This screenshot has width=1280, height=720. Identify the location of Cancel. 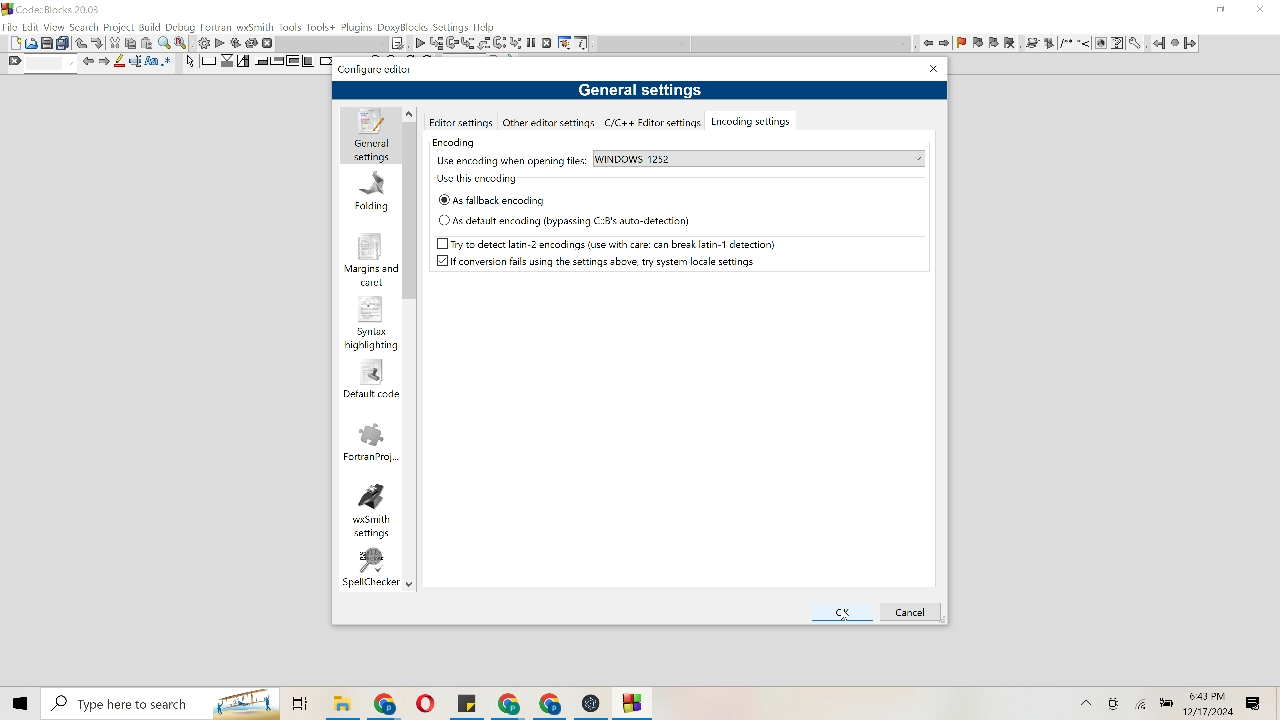
(911, 612).